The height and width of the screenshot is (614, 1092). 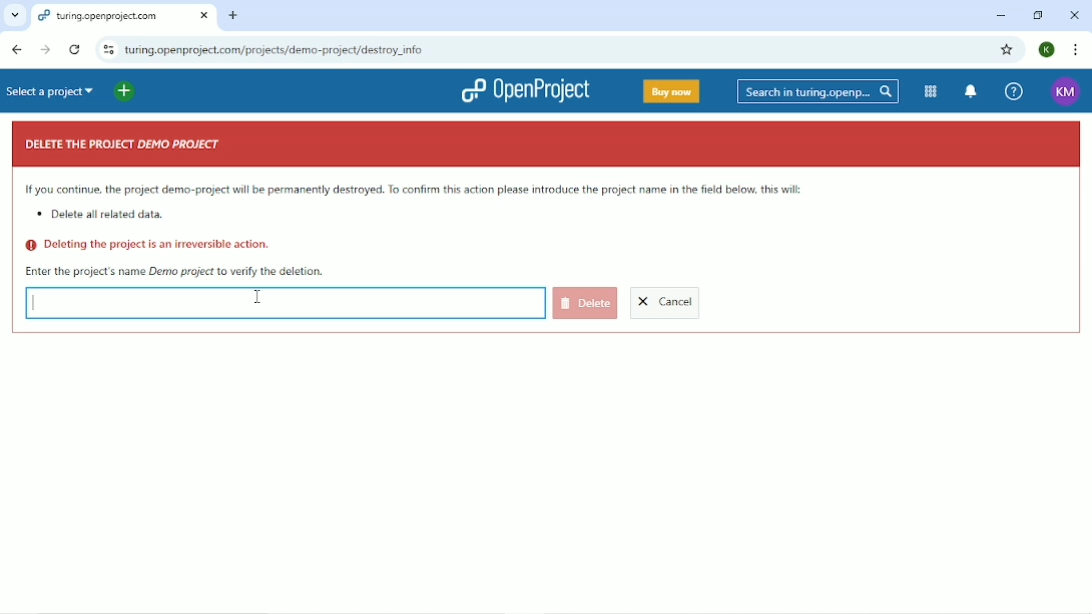 I want to click on Search tabs, so click(x=15, y=16).